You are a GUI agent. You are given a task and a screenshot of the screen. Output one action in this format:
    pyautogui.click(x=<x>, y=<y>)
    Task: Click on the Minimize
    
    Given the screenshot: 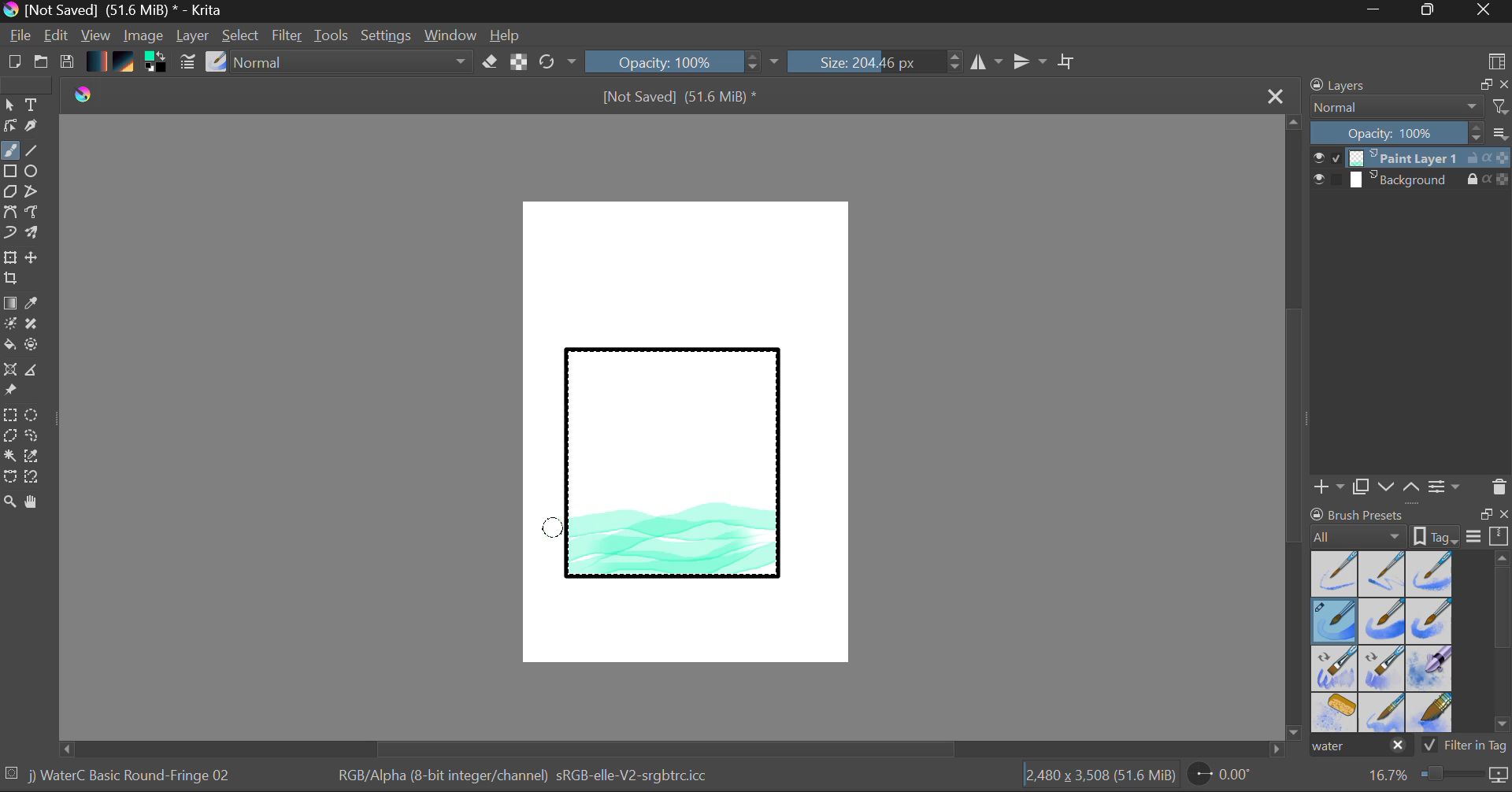 What is the action you would take?
    pyautogui.click(x=1431, y=11)
    